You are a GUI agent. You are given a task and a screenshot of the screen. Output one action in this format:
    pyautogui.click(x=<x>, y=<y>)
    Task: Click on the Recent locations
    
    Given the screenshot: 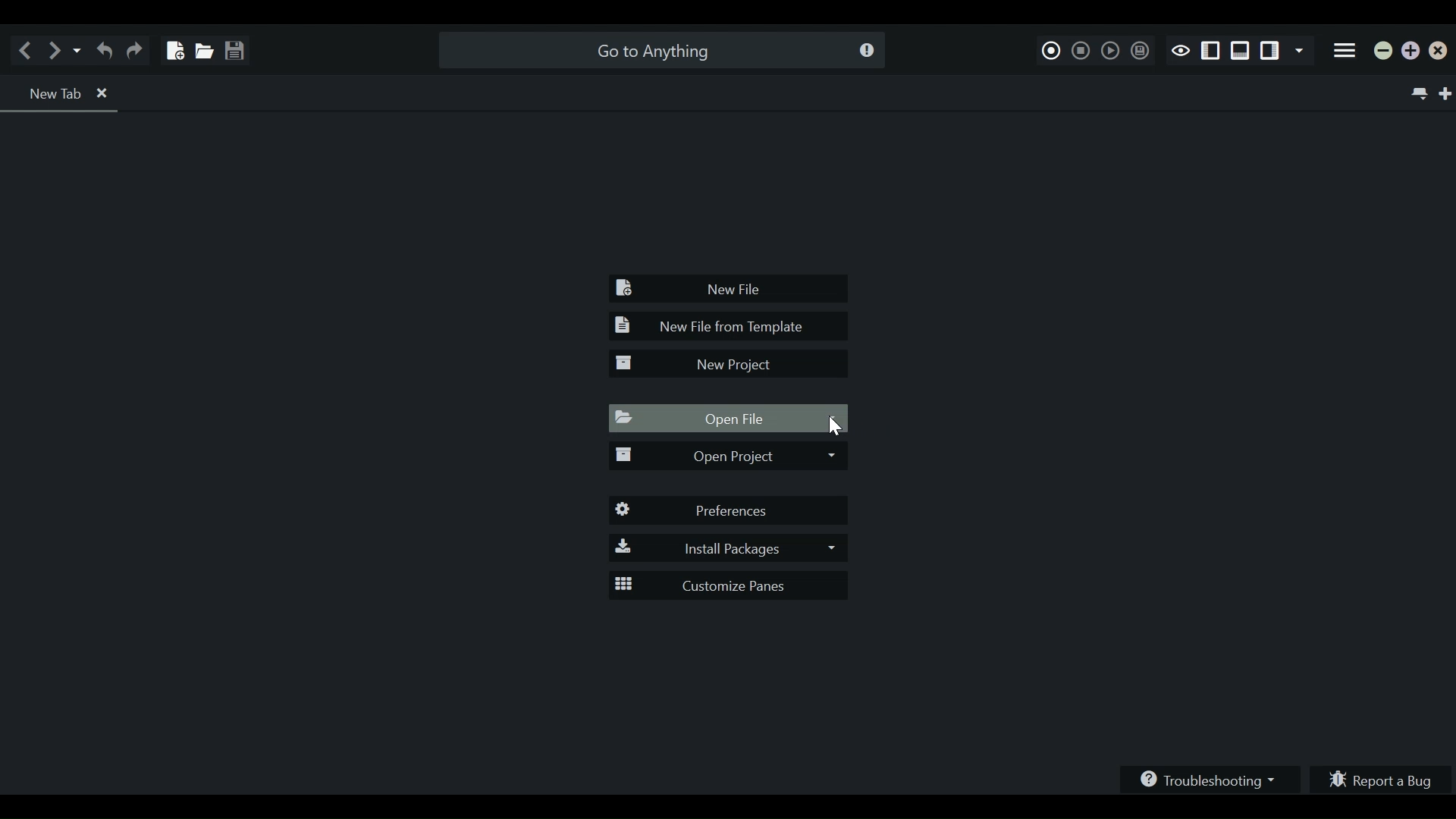 What is the action you would take?
    pyautogui.click(x=78, y=50)
    